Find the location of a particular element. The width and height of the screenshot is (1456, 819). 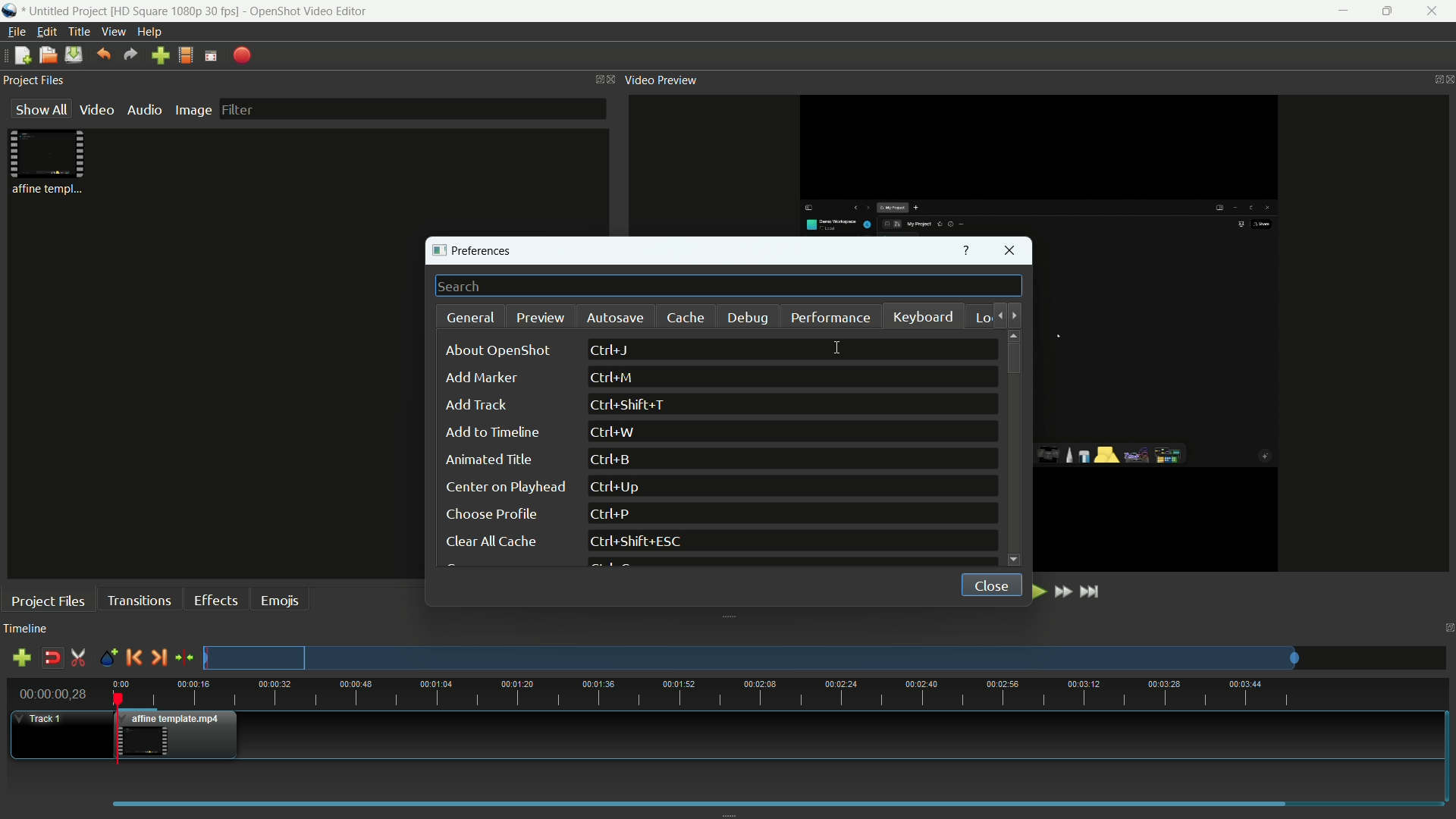

project files is located at coordinates (49, 601).